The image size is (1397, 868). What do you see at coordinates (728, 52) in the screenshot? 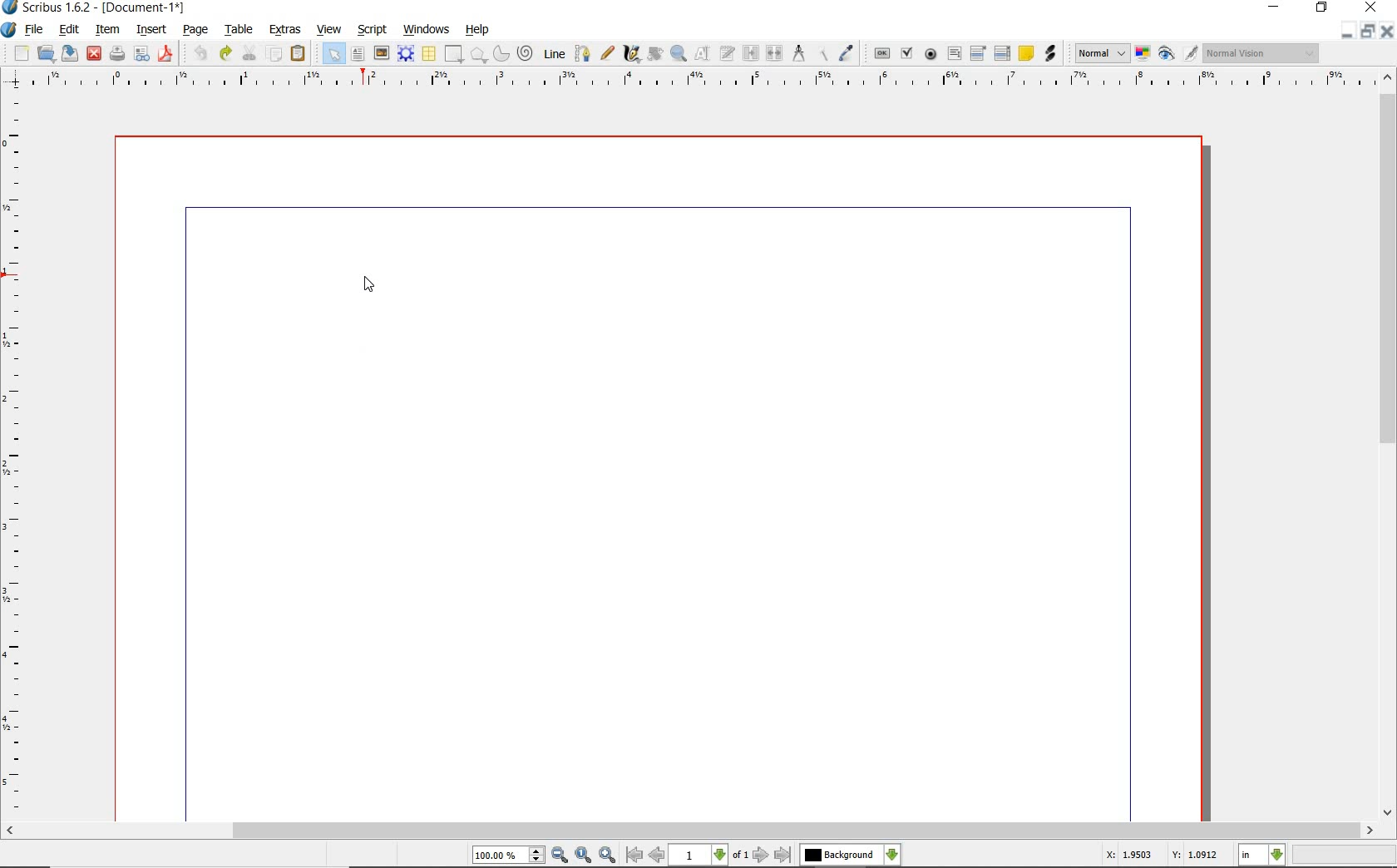
I see `edit text with story editor` at bounding box center [728, 52].